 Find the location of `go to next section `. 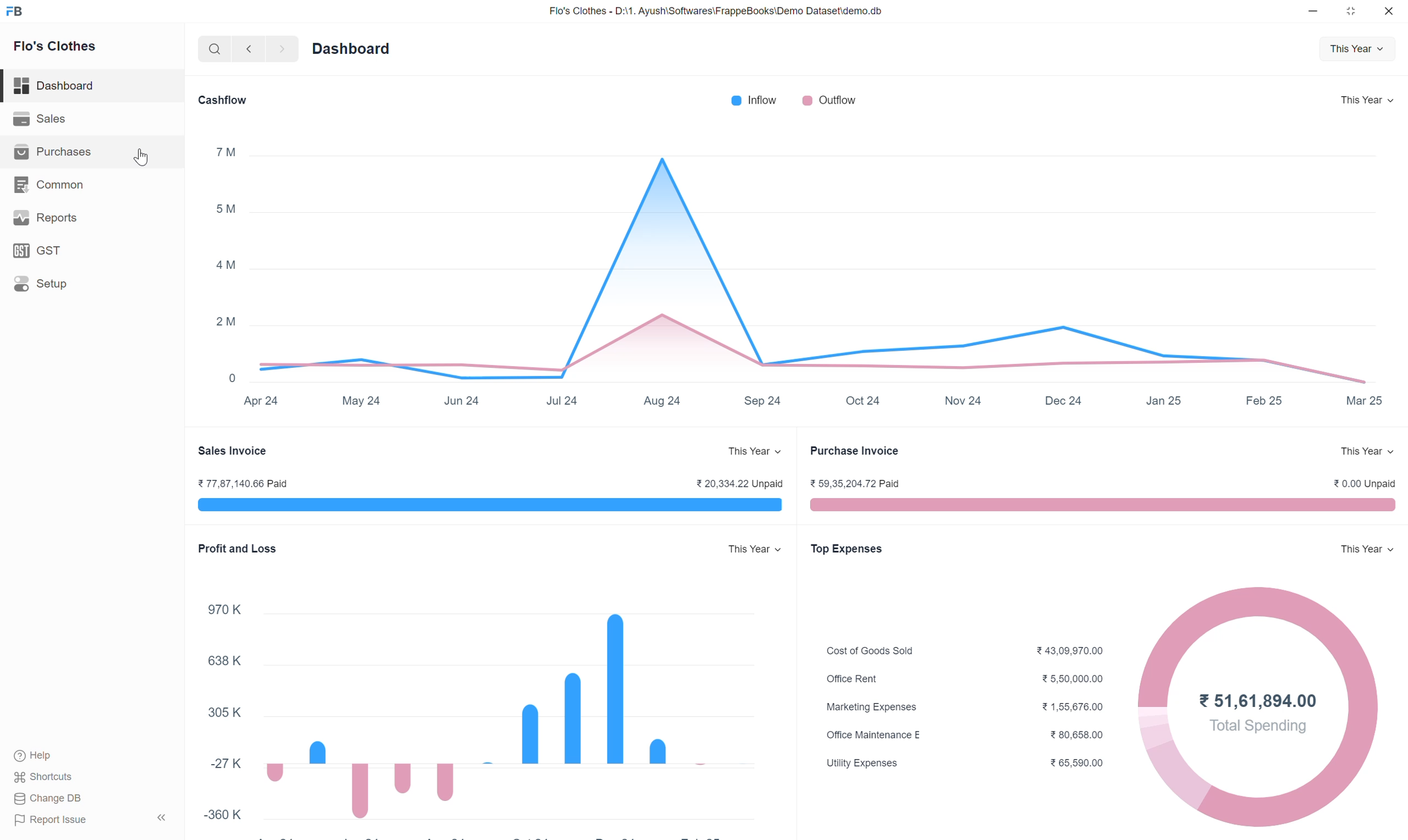

go to next section  is located at coordinates (283, 49).